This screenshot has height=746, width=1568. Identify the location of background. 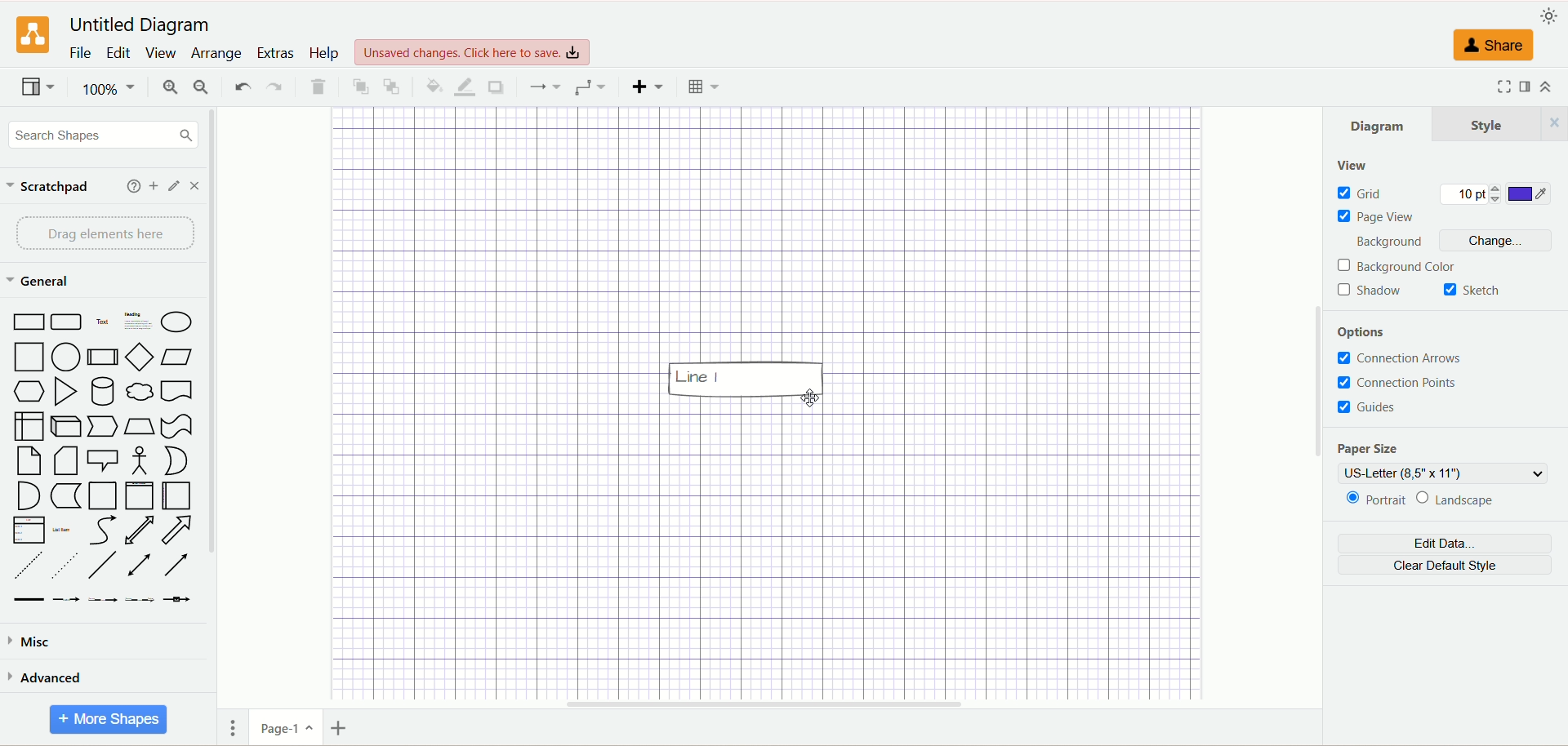
(1389, 243).